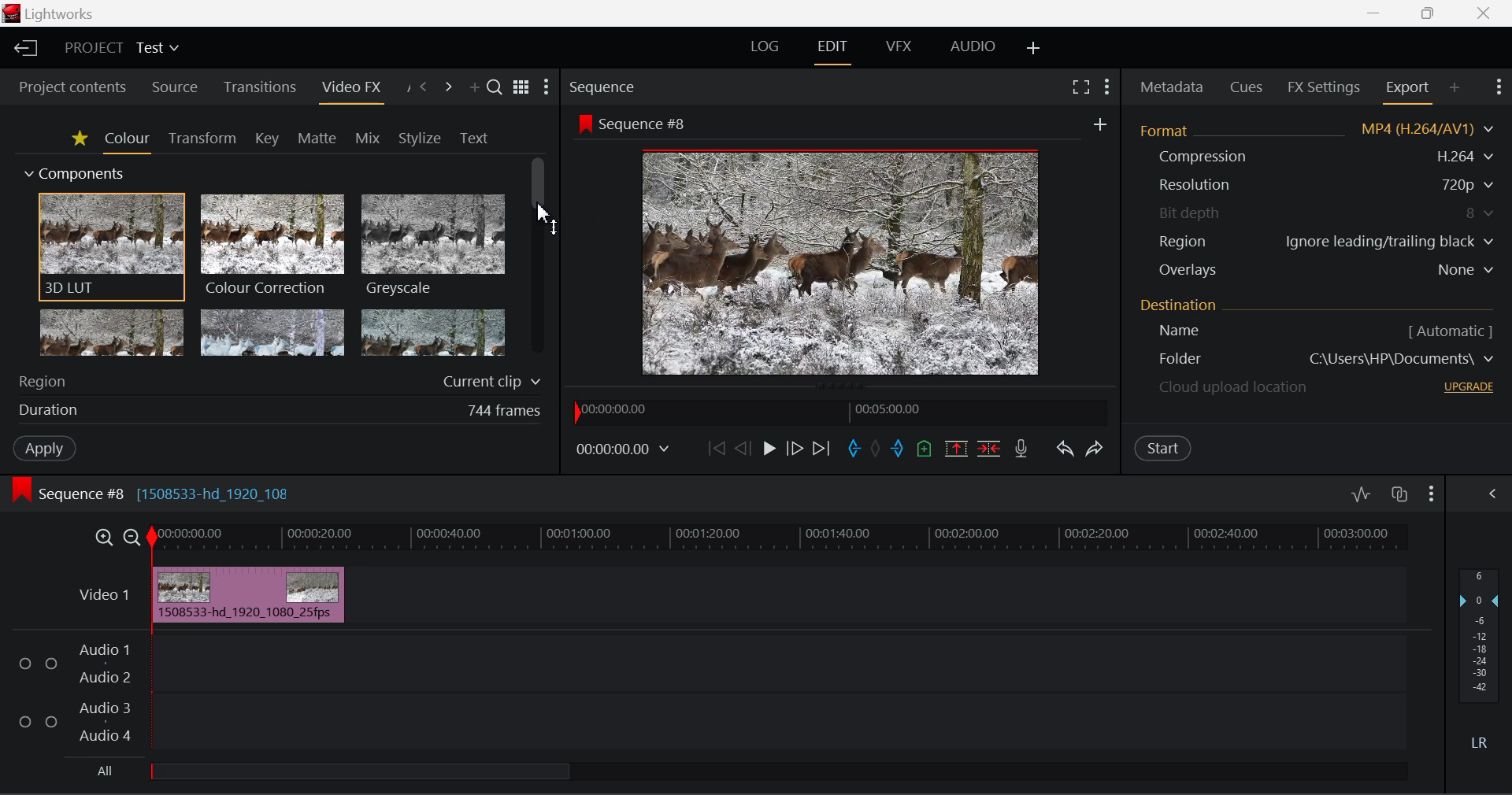 The width and height of the screenshot is (1512, 795). Describe the element at coordinates (1492, 494) in the screenshot. I see `Show Settings` at that location.